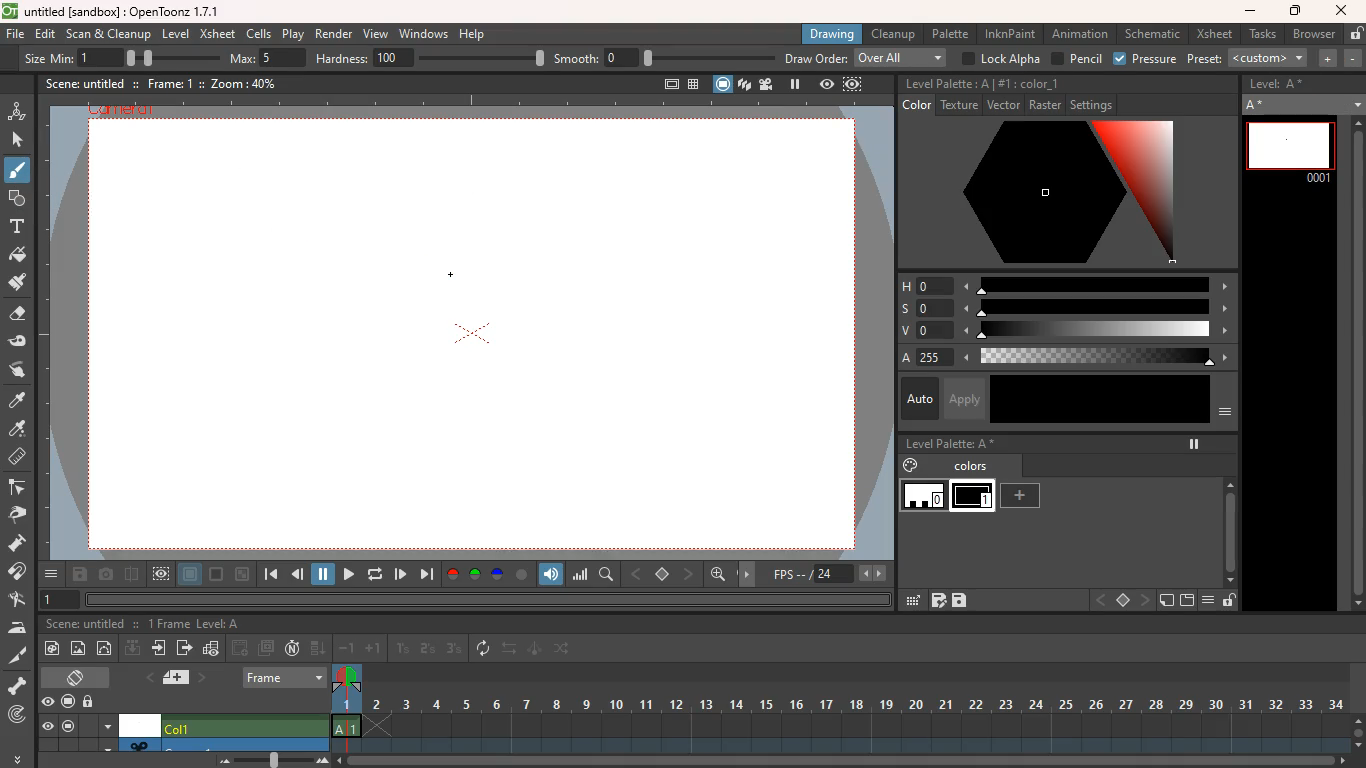 The width and height of the screenshot is (1366, 768). What do you see at coordinates (449, 272) in the screenshot?
I see `drawing cursor` at bounding box center [449, 272].